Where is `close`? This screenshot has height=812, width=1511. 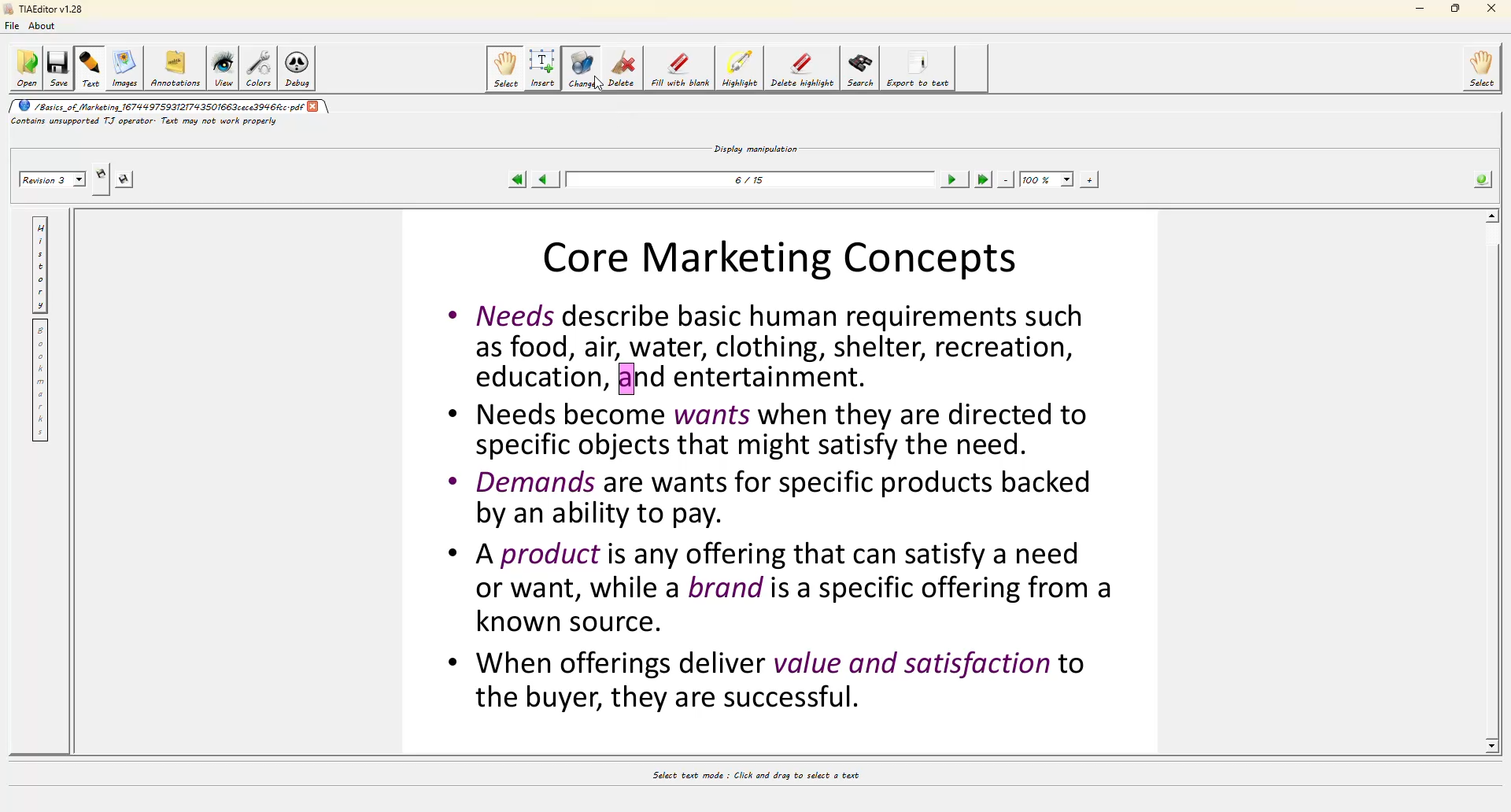 close is located at coordinates (316, 106).